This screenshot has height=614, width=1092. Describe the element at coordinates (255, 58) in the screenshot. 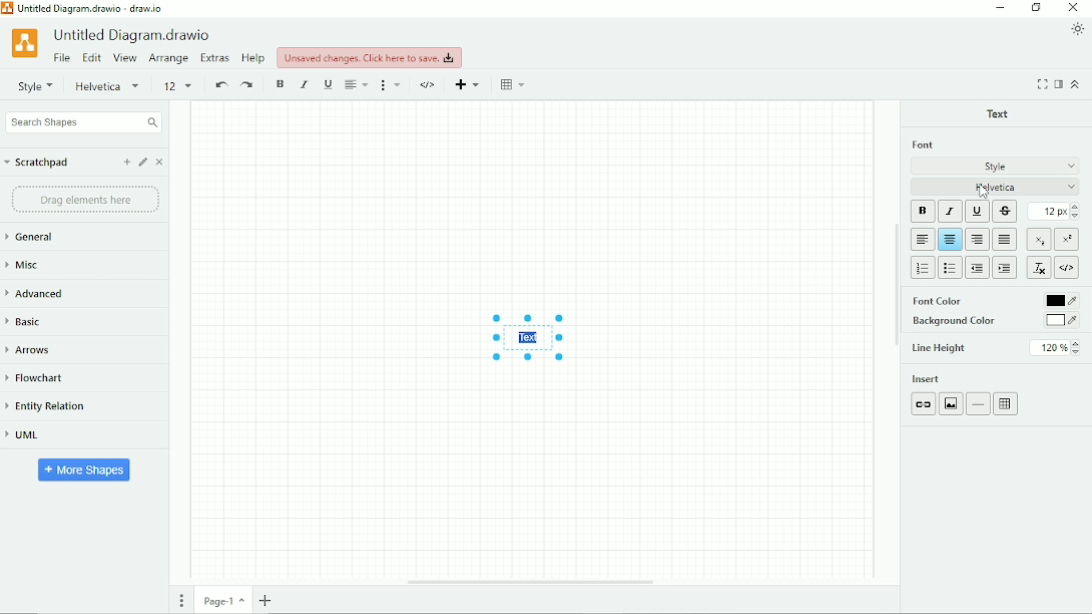

I see `Help` at that location.